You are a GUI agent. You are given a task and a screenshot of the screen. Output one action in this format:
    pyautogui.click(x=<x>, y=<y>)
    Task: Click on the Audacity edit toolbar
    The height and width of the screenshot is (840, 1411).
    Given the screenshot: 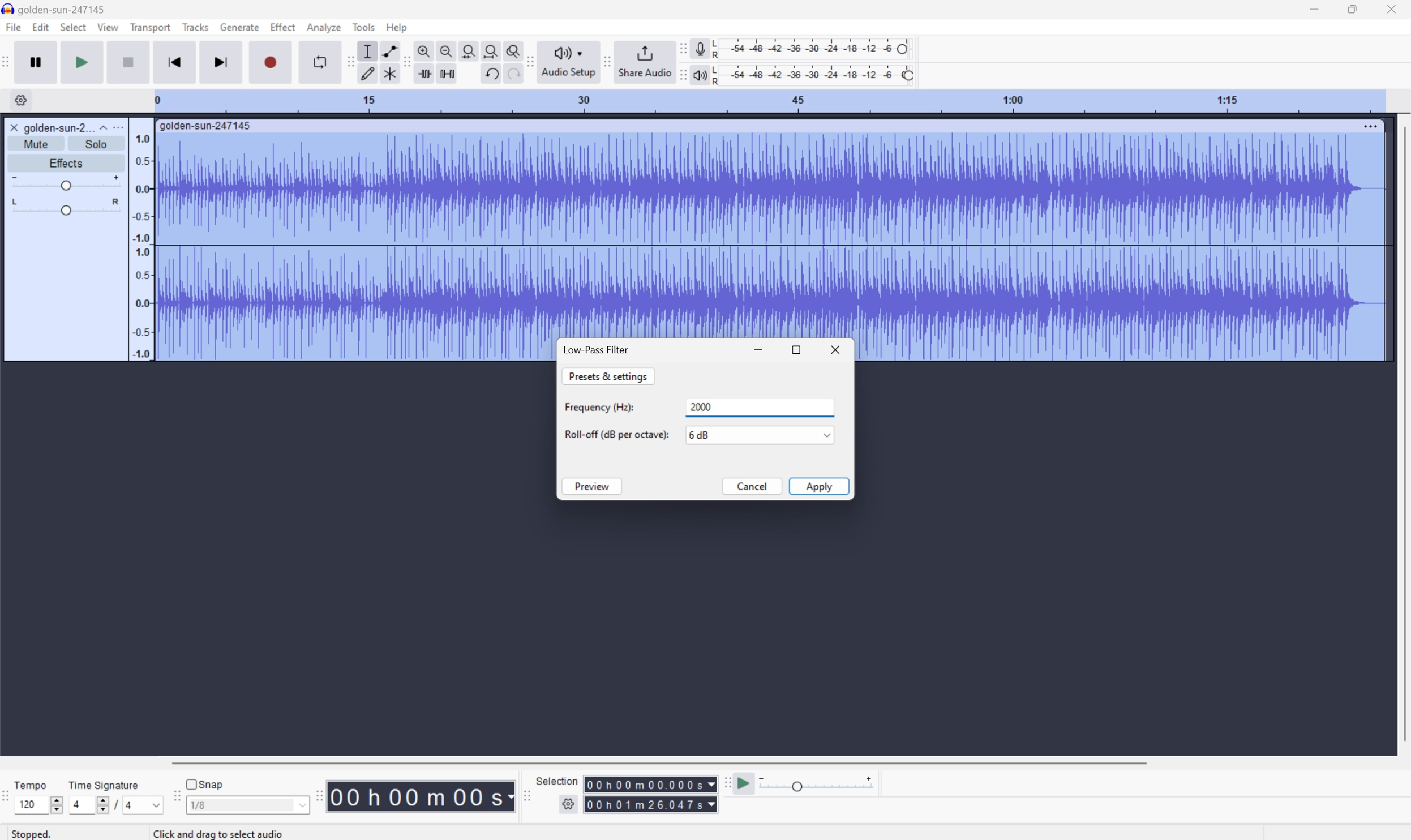 What is the action you would take?
    pyautogui.click(x=406, y=63)
    